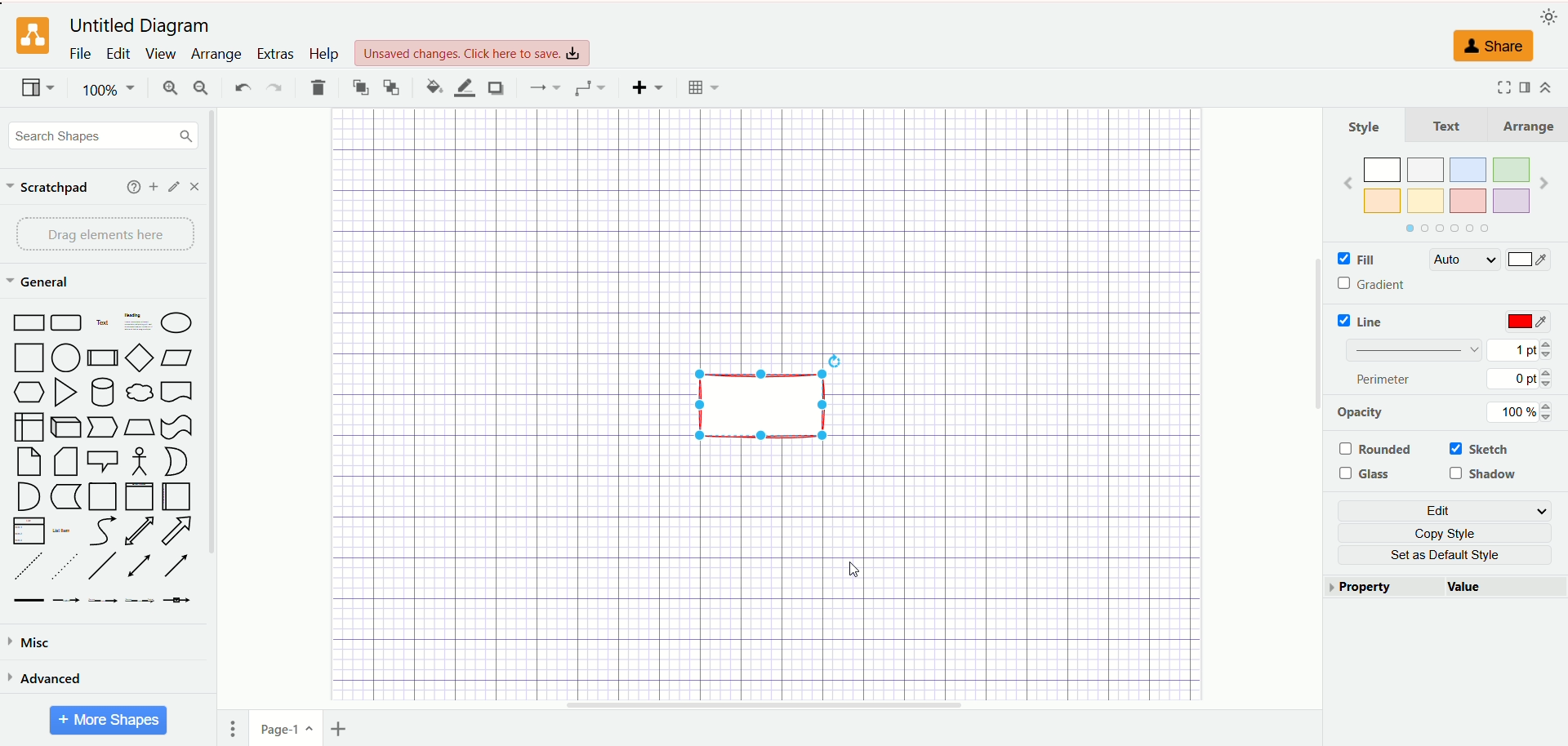 The height and width of the screenshot is (746, 1568). I want to click on 1 pt, so click(1521, 349).